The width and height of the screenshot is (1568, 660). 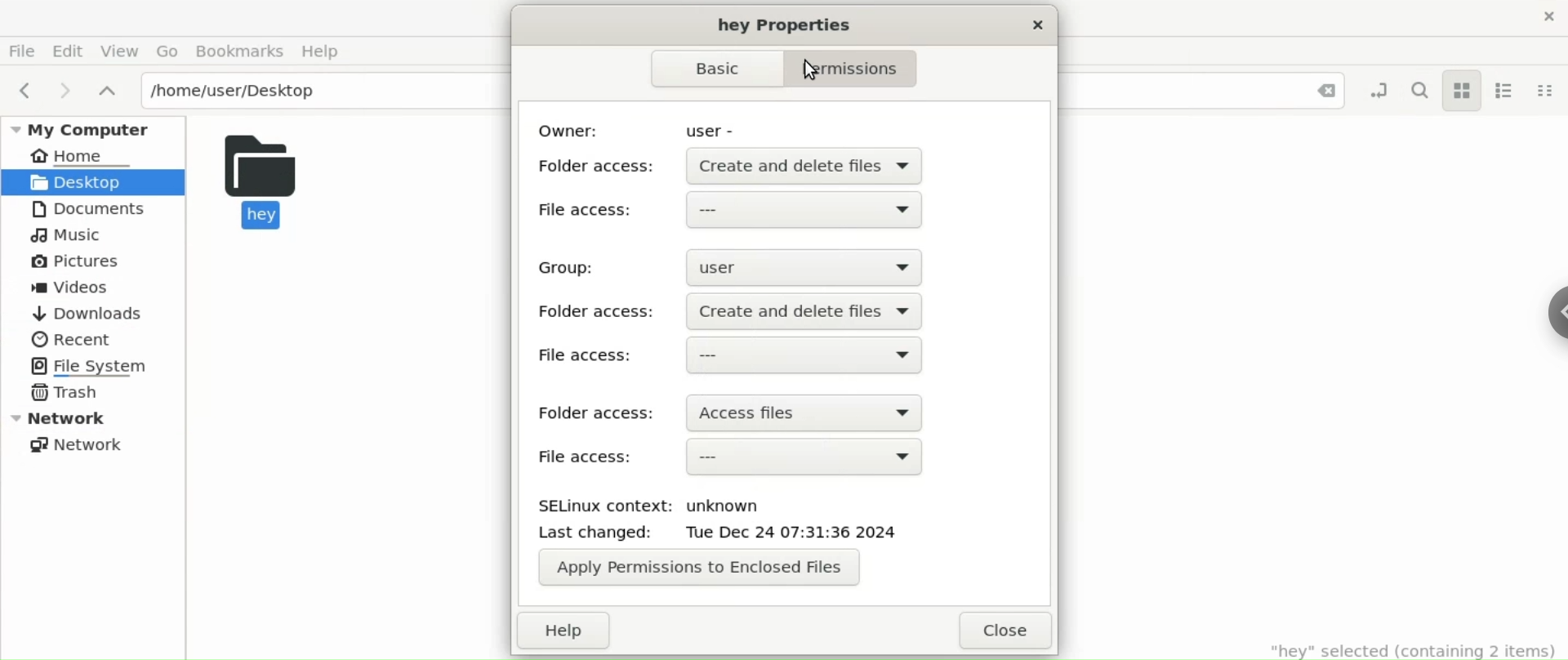 What do you see at coordinates (752, 534) in the screenshot?
I see `Last changed: Tue Dec 24 07:31:30 2024` at bounding box center [752, 534].